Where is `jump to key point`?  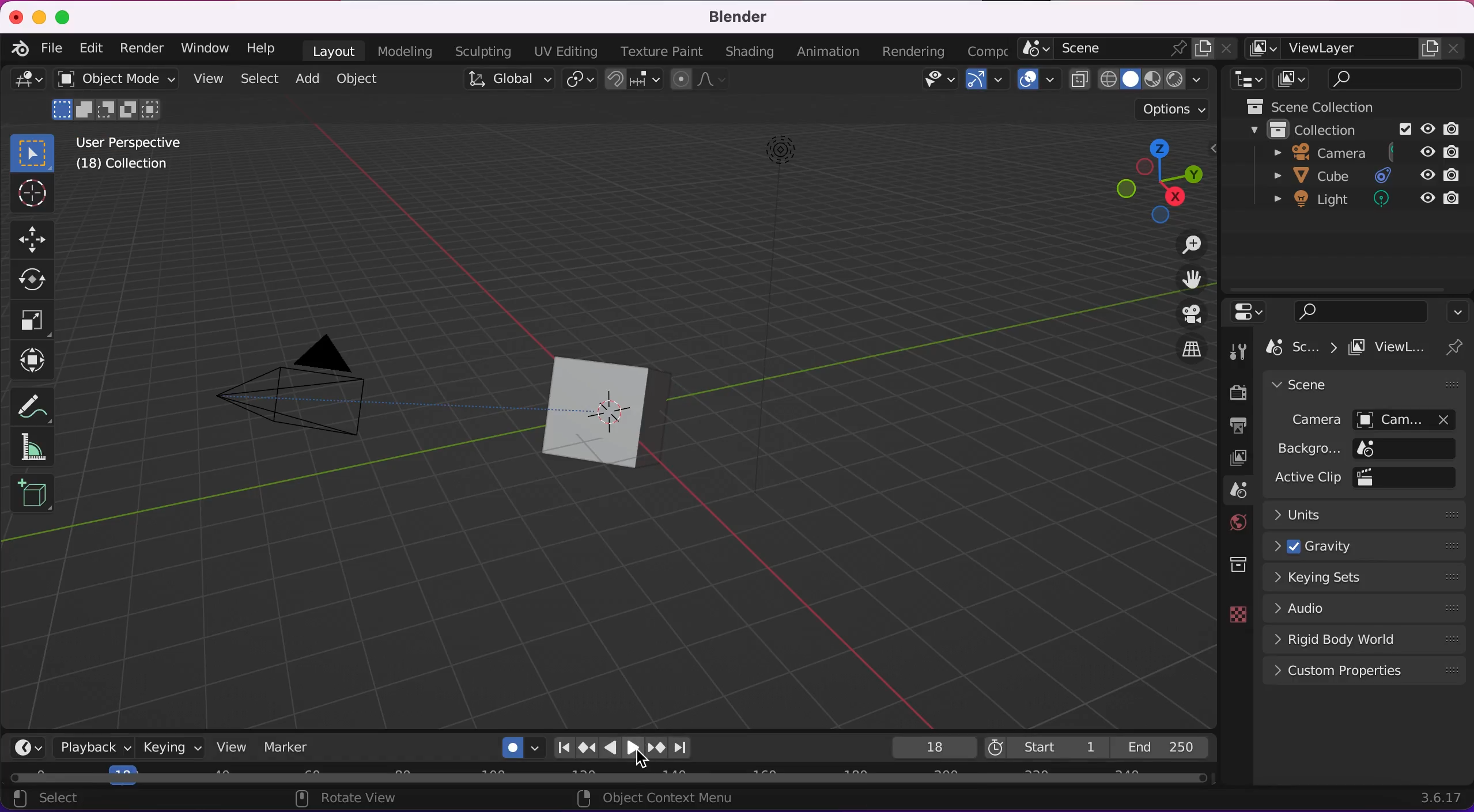
jump to key point is located at coordinates (656, 749).